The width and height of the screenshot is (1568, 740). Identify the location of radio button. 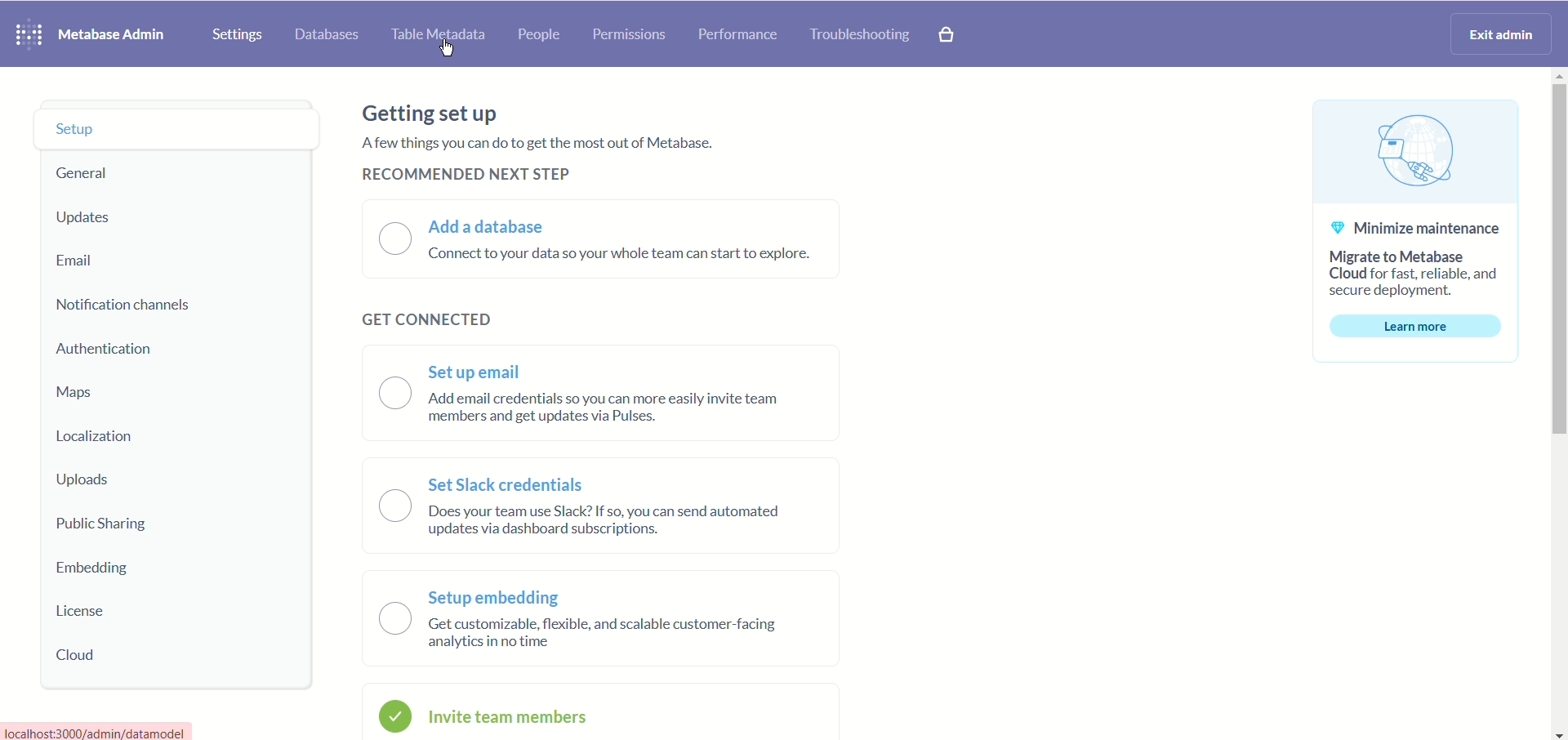
(394, 715).